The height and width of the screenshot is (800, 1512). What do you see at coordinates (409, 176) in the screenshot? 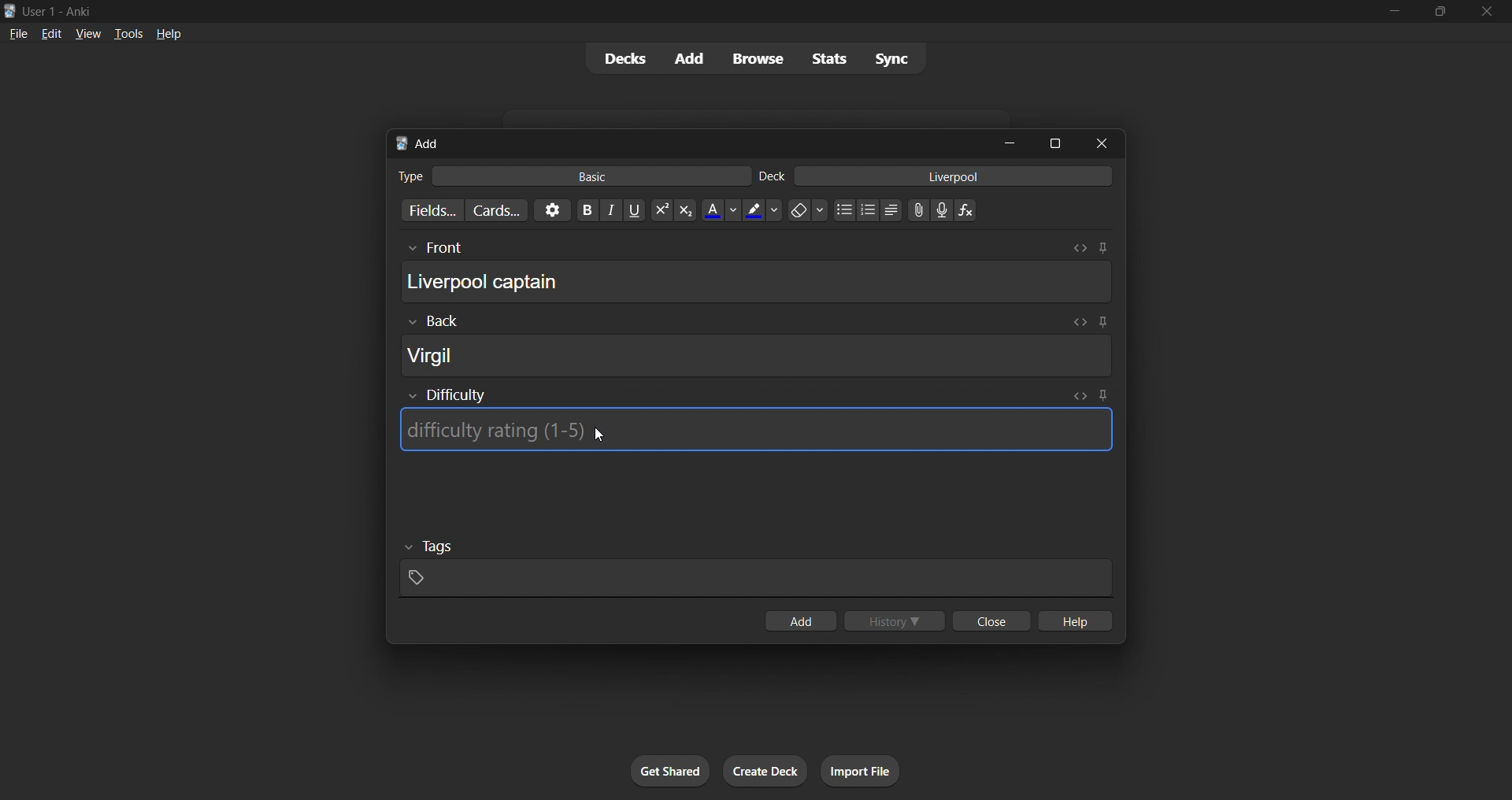
I see `Text` at bounding box center [409, 176].